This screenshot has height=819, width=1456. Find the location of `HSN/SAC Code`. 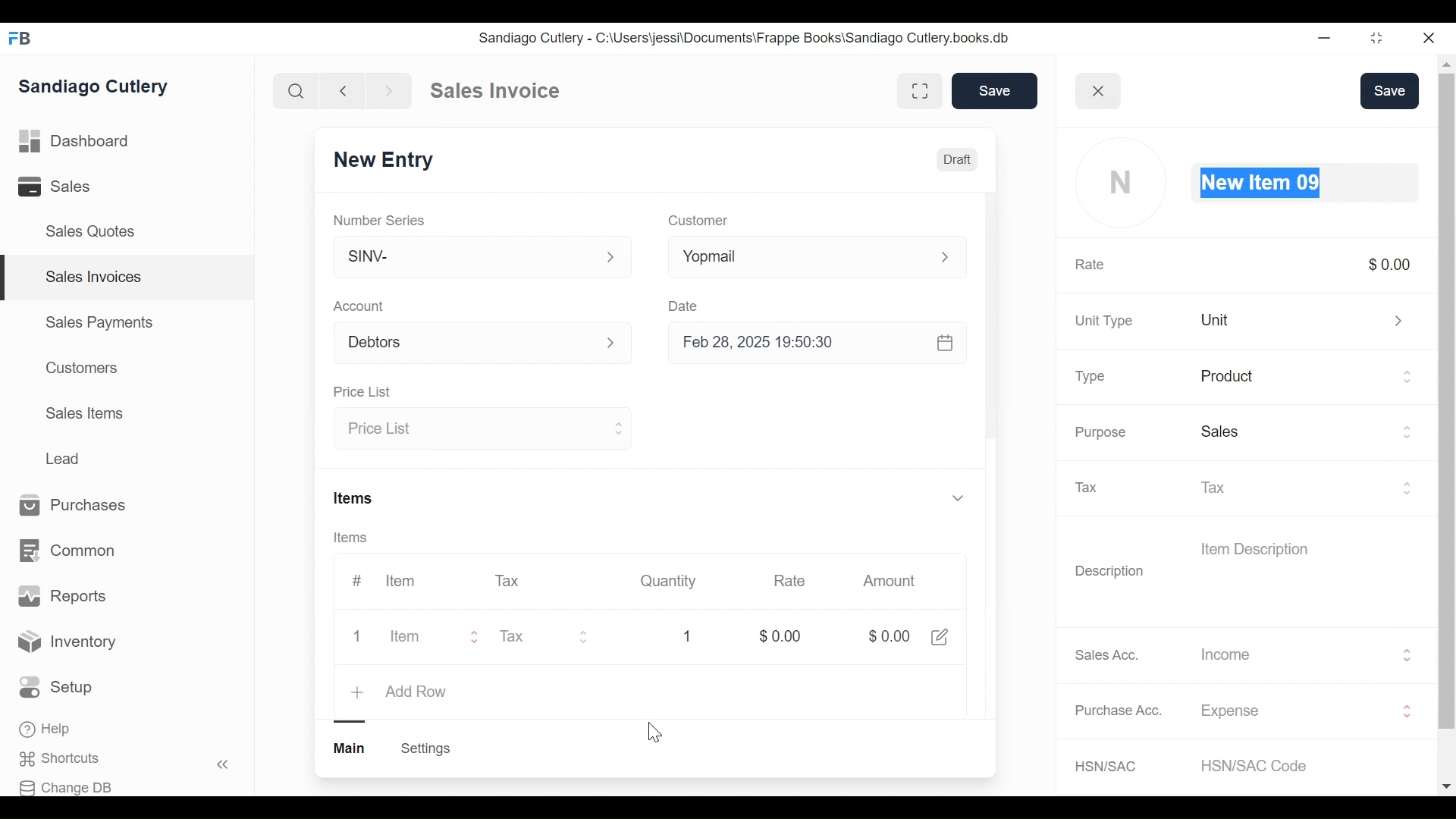

HSN/SAC Code is located at coordinates (1262, 765).